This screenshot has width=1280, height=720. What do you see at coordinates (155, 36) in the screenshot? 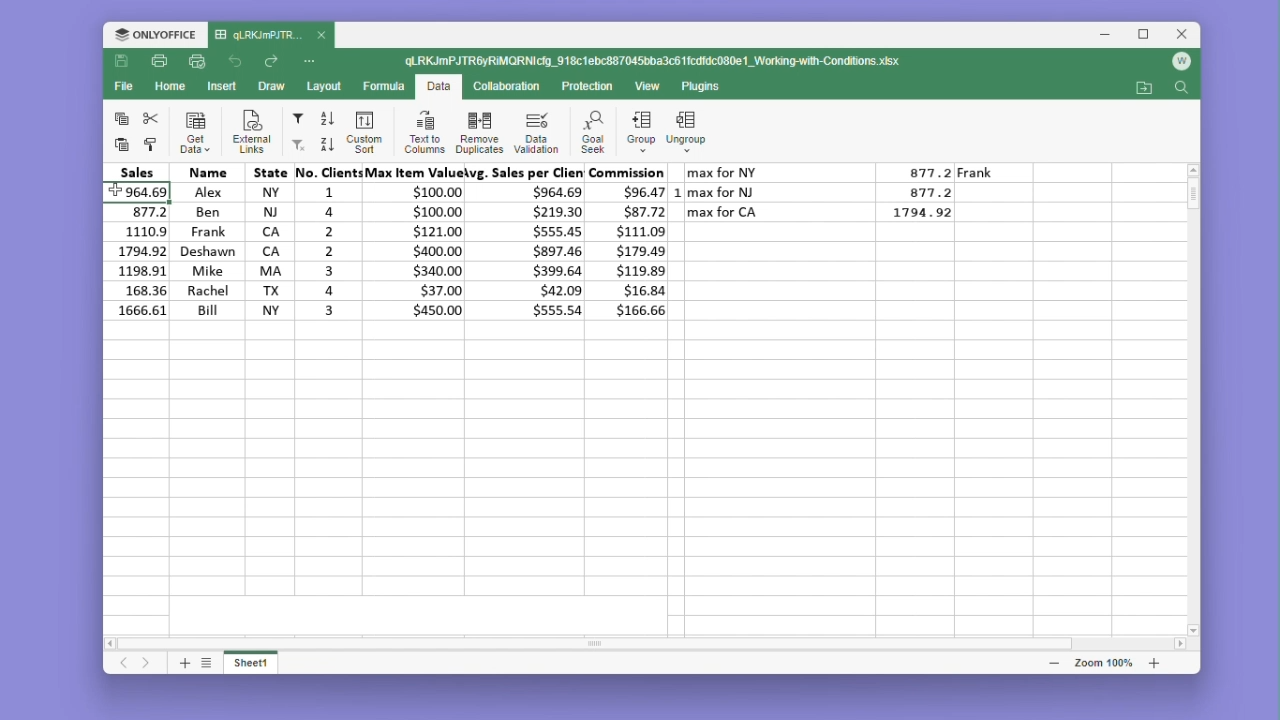
I see `Only office logo` at bounding box center [155, 36].